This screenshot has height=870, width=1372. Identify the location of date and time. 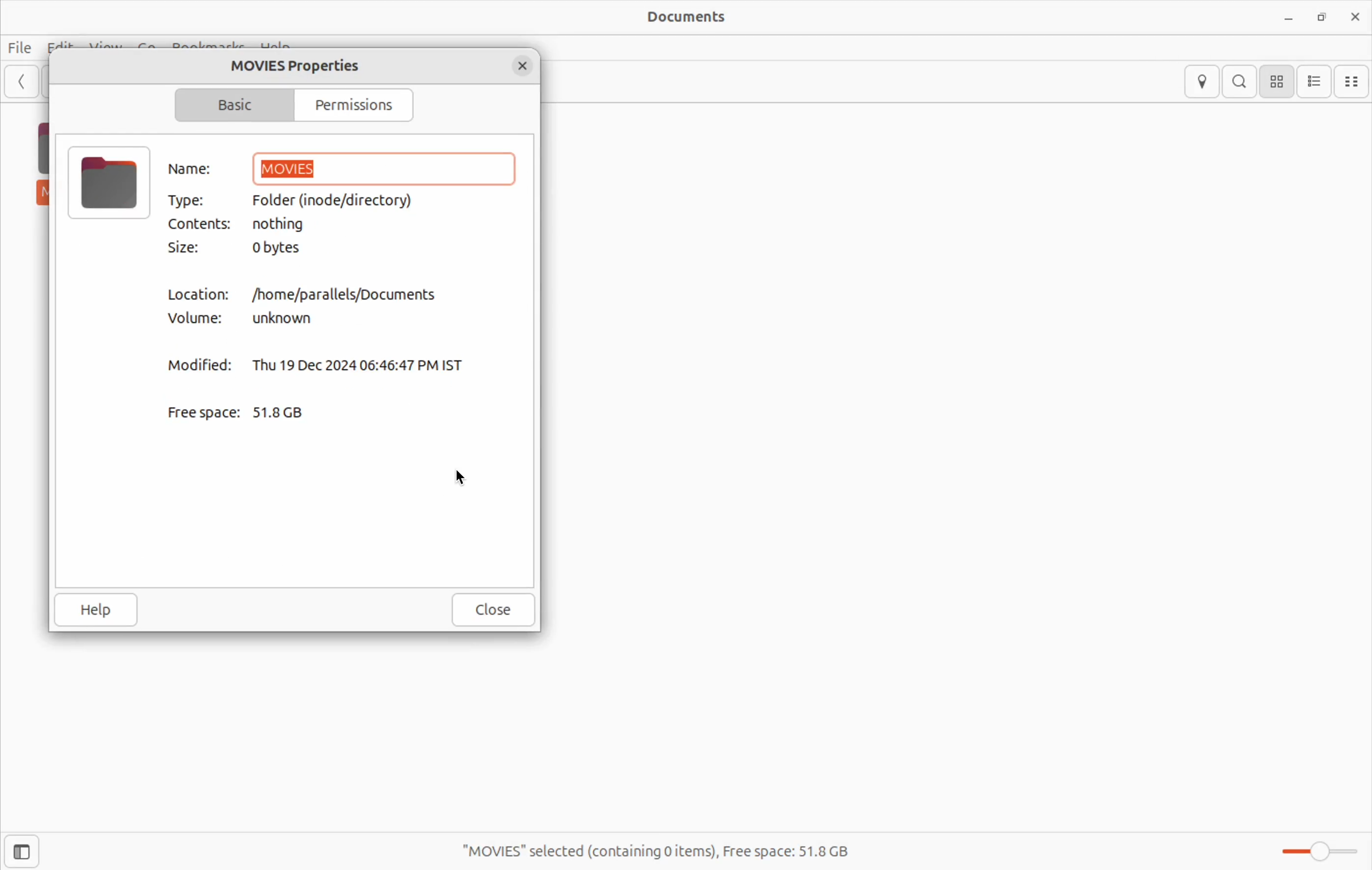
(365, 363).